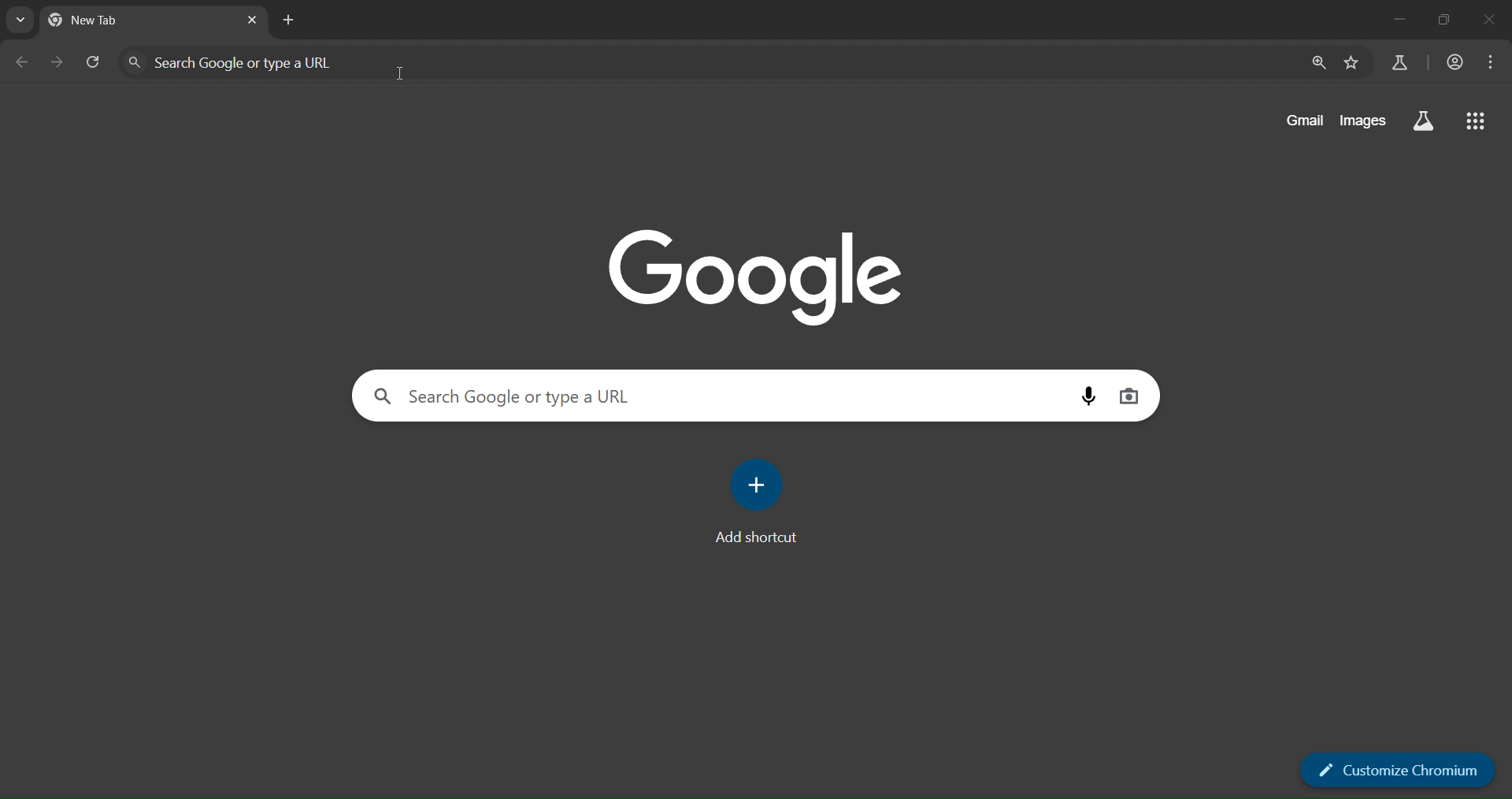 The width and height of the screenshot is (1512, 799). I want to click on minimize, so click(1398, 17).